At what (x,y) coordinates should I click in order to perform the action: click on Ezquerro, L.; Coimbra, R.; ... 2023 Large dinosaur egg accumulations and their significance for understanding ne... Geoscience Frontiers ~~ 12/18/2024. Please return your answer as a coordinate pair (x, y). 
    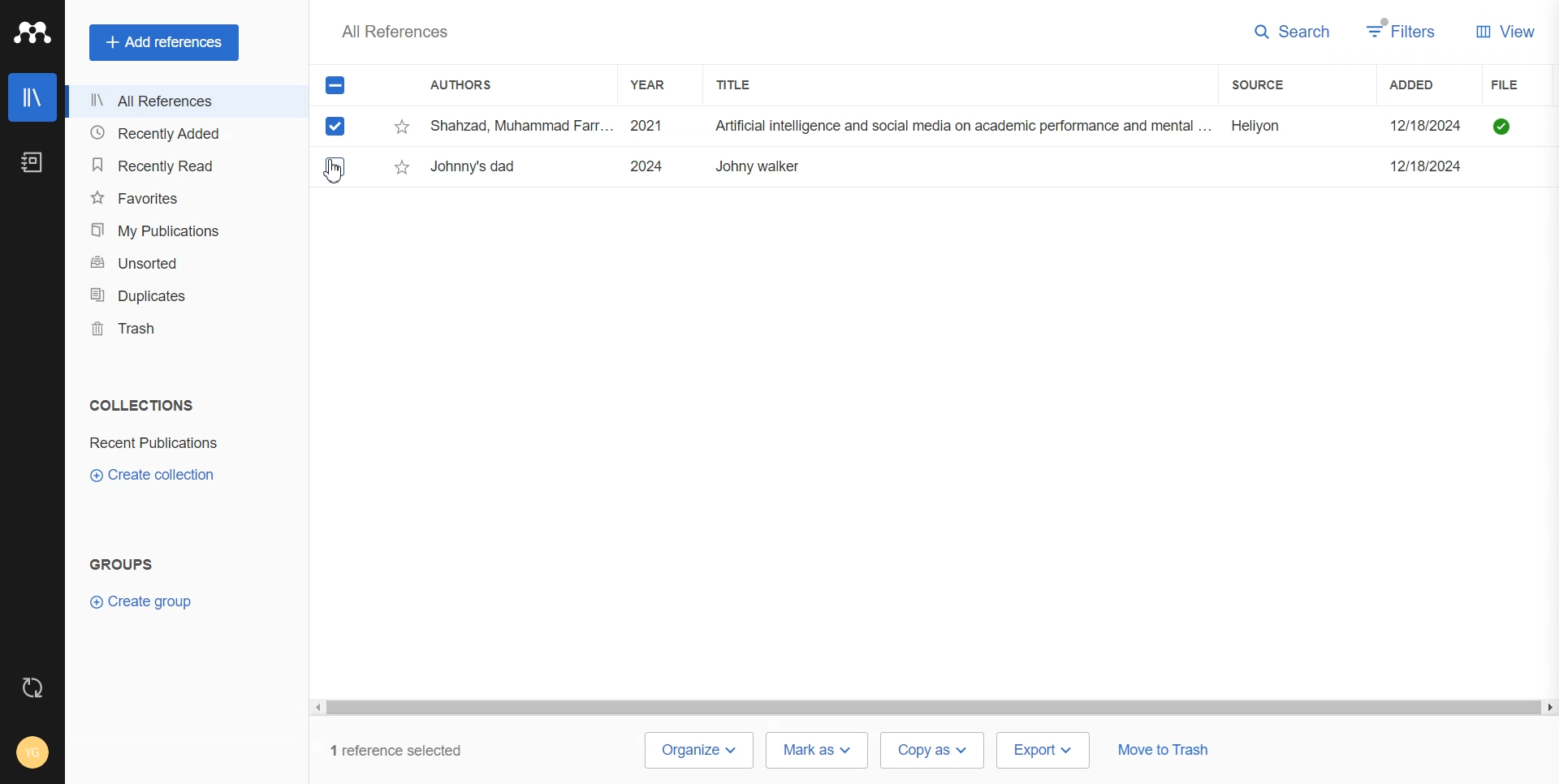
    Looking at the image, I should click on (952, 166).